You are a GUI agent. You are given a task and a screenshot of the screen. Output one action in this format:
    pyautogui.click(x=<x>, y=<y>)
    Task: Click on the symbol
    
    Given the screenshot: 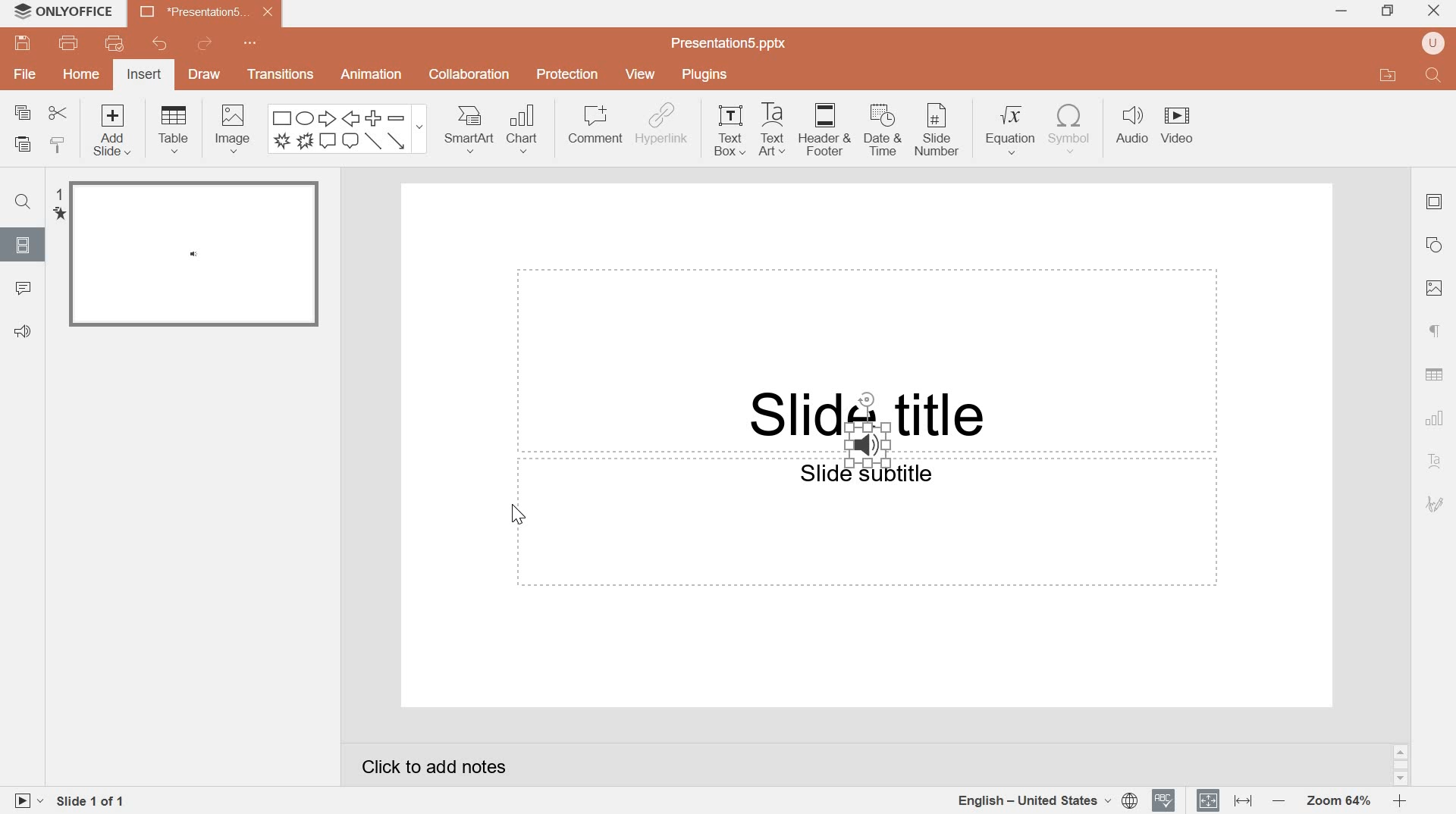 What is the action you would take?
    pyautogui.click(x=1069, y=129)
    